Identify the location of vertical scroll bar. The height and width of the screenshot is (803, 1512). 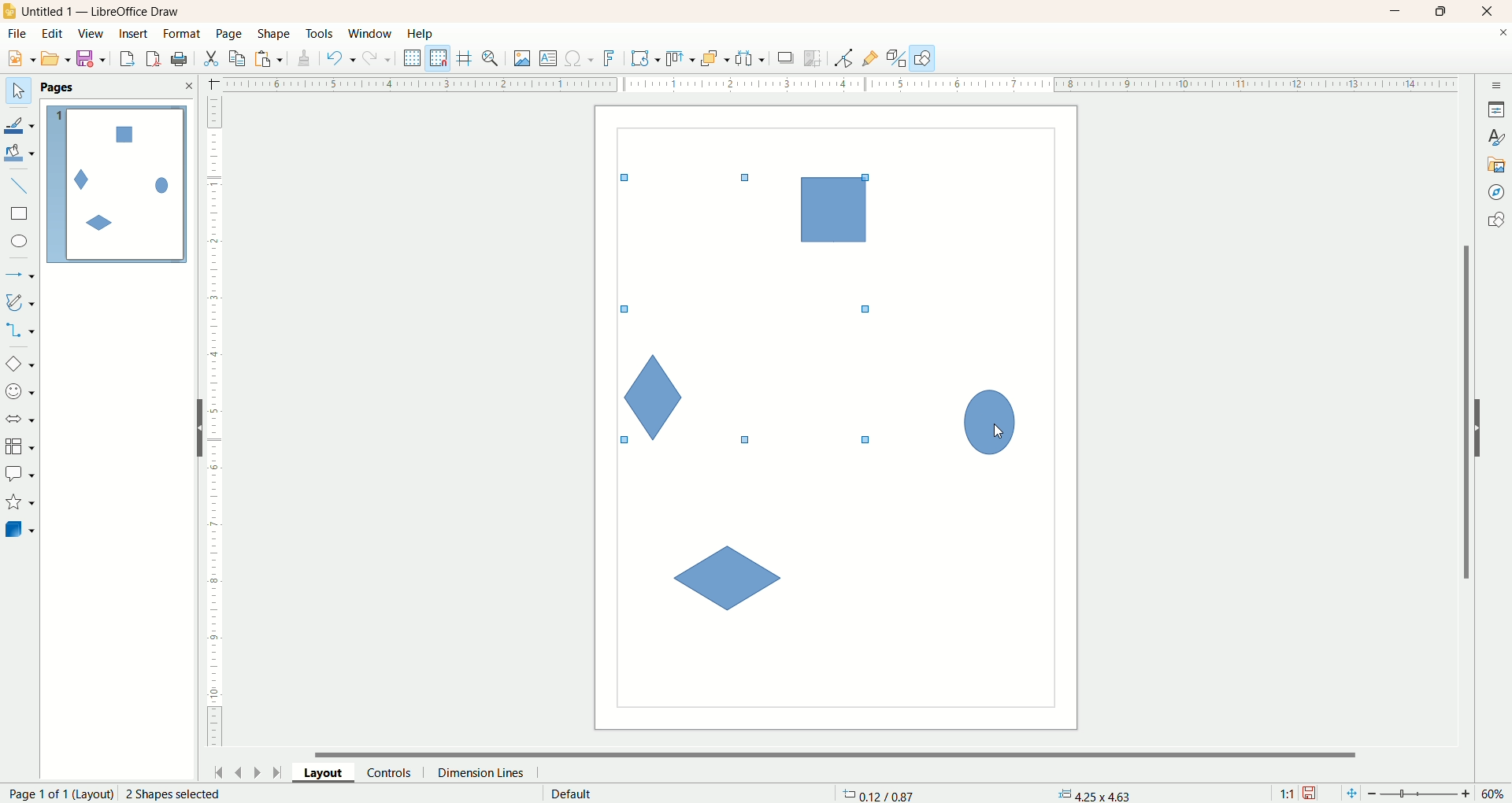
(1463, 412).